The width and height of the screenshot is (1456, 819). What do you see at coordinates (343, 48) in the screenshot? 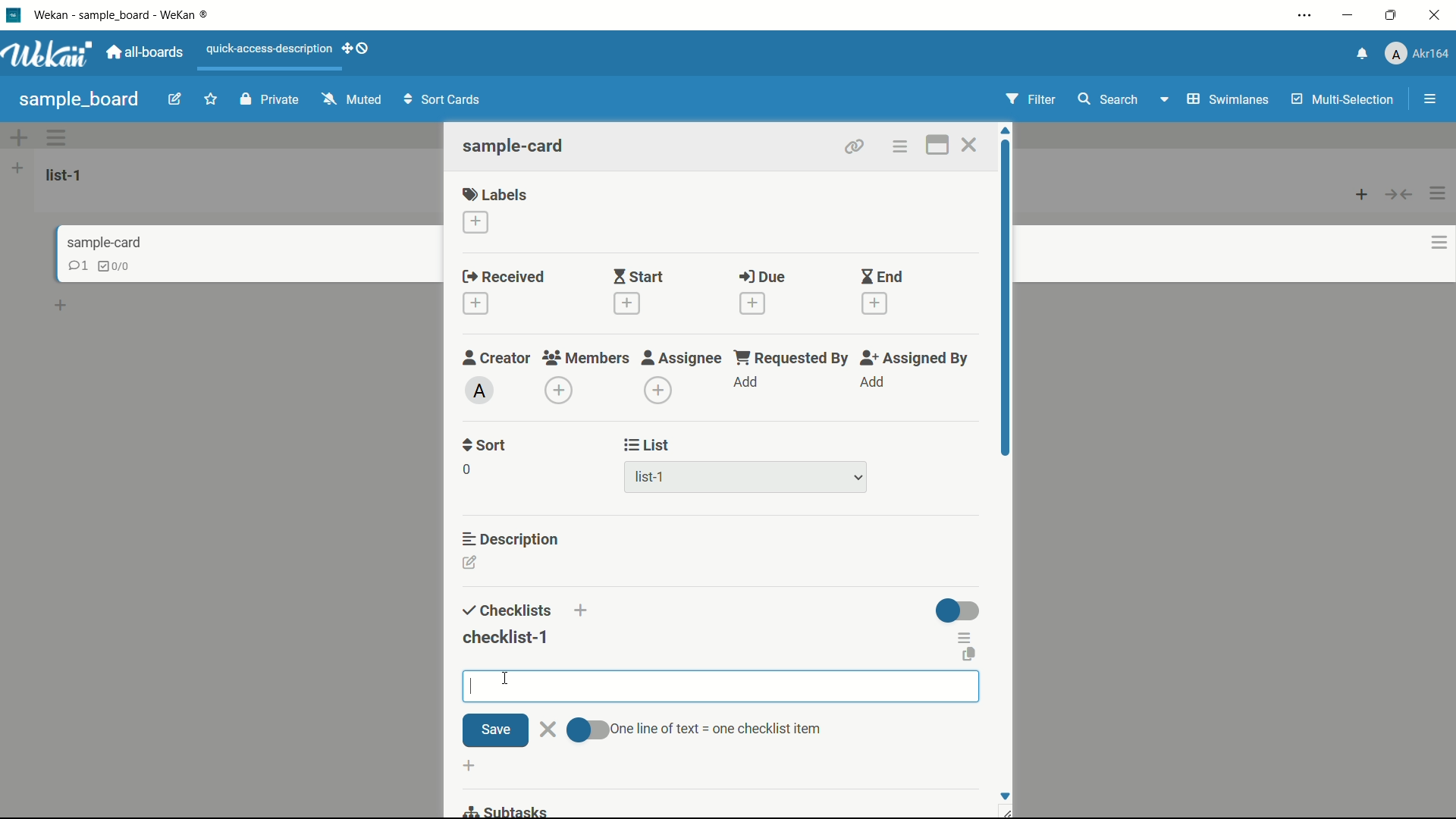
I see `add` at bounding box center [343, 48].